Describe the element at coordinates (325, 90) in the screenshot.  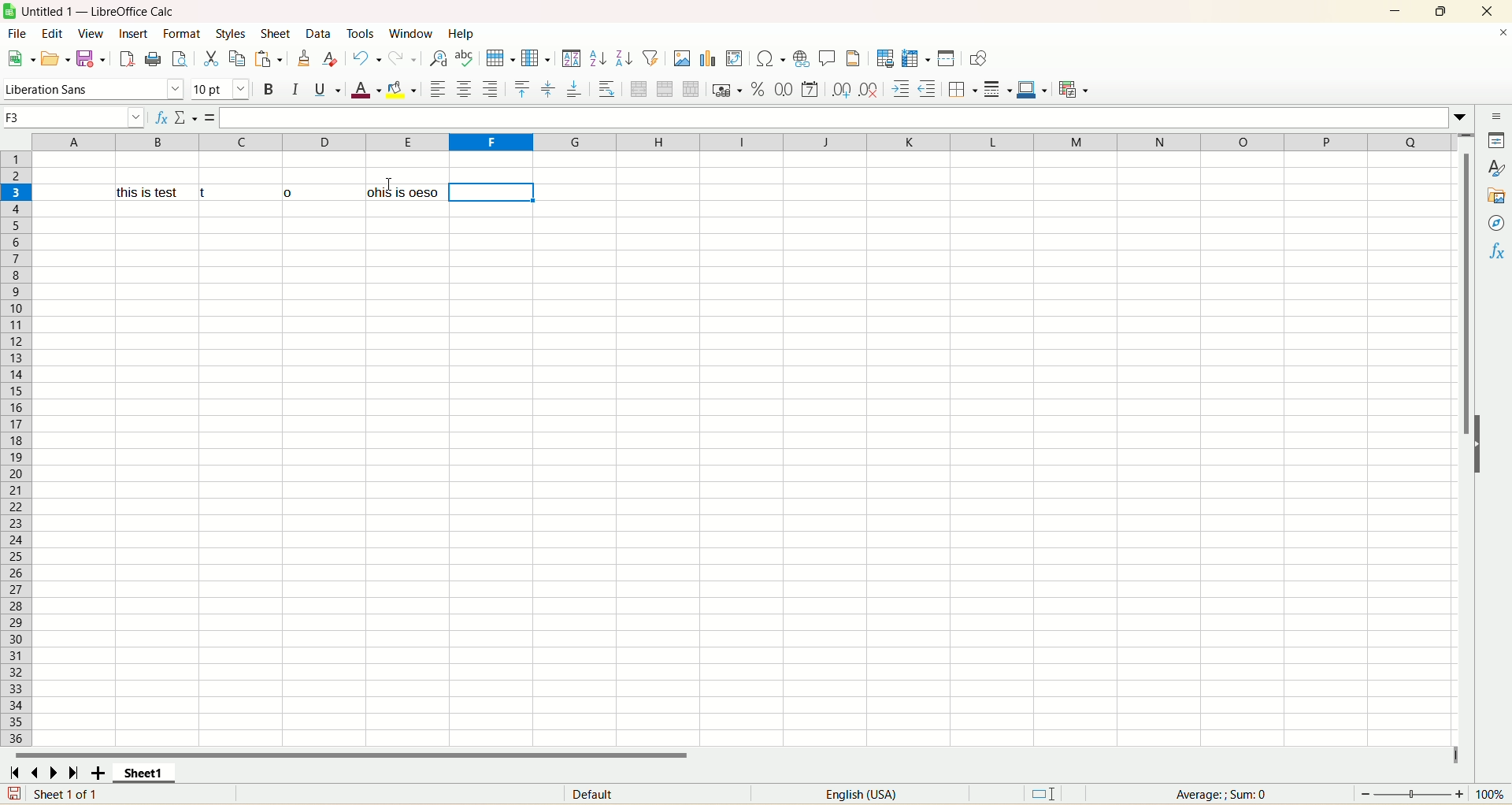
I see `underline` at that location.